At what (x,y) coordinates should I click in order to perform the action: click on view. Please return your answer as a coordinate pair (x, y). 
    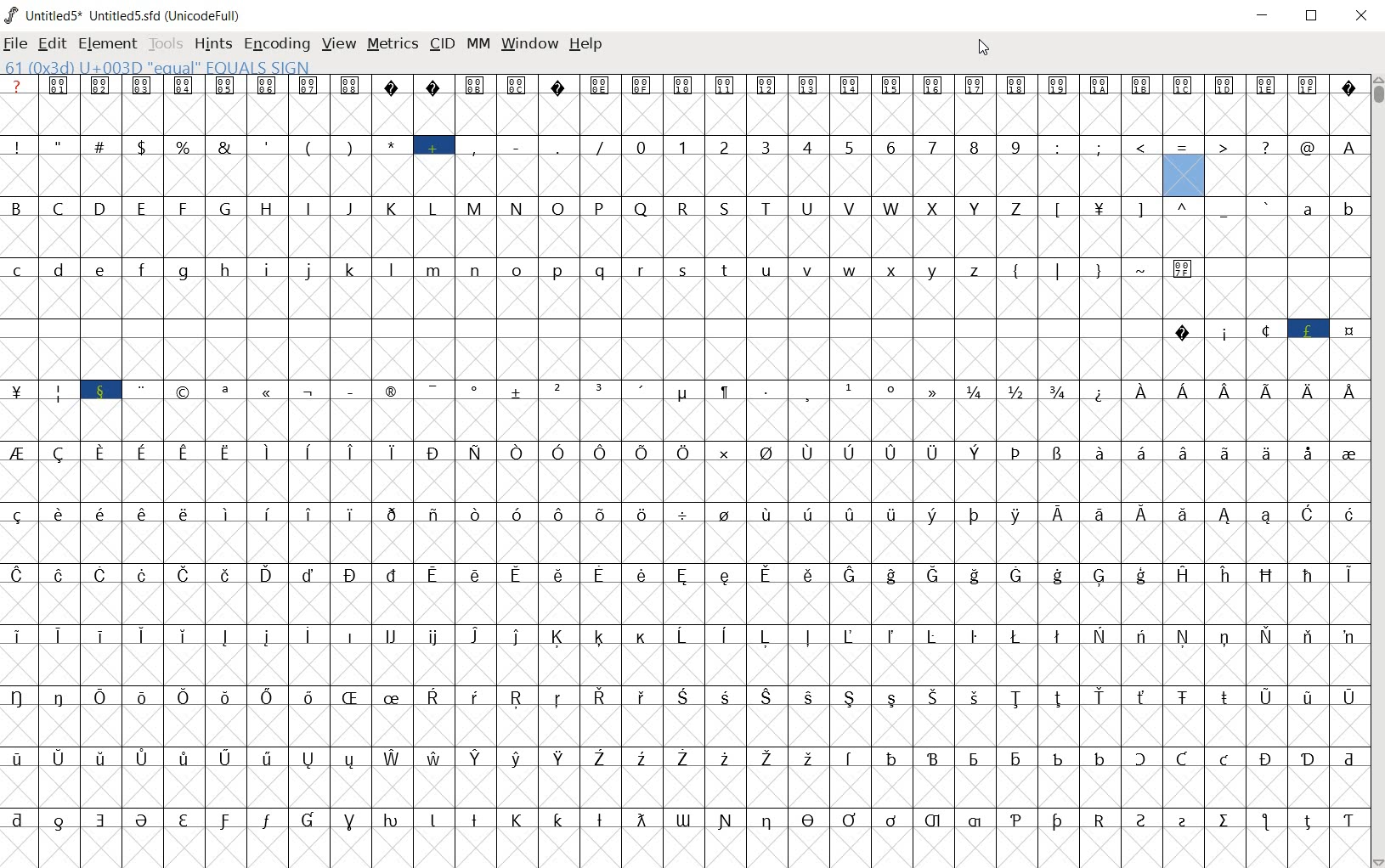
    Looking at the image, I should click on (337, 45).